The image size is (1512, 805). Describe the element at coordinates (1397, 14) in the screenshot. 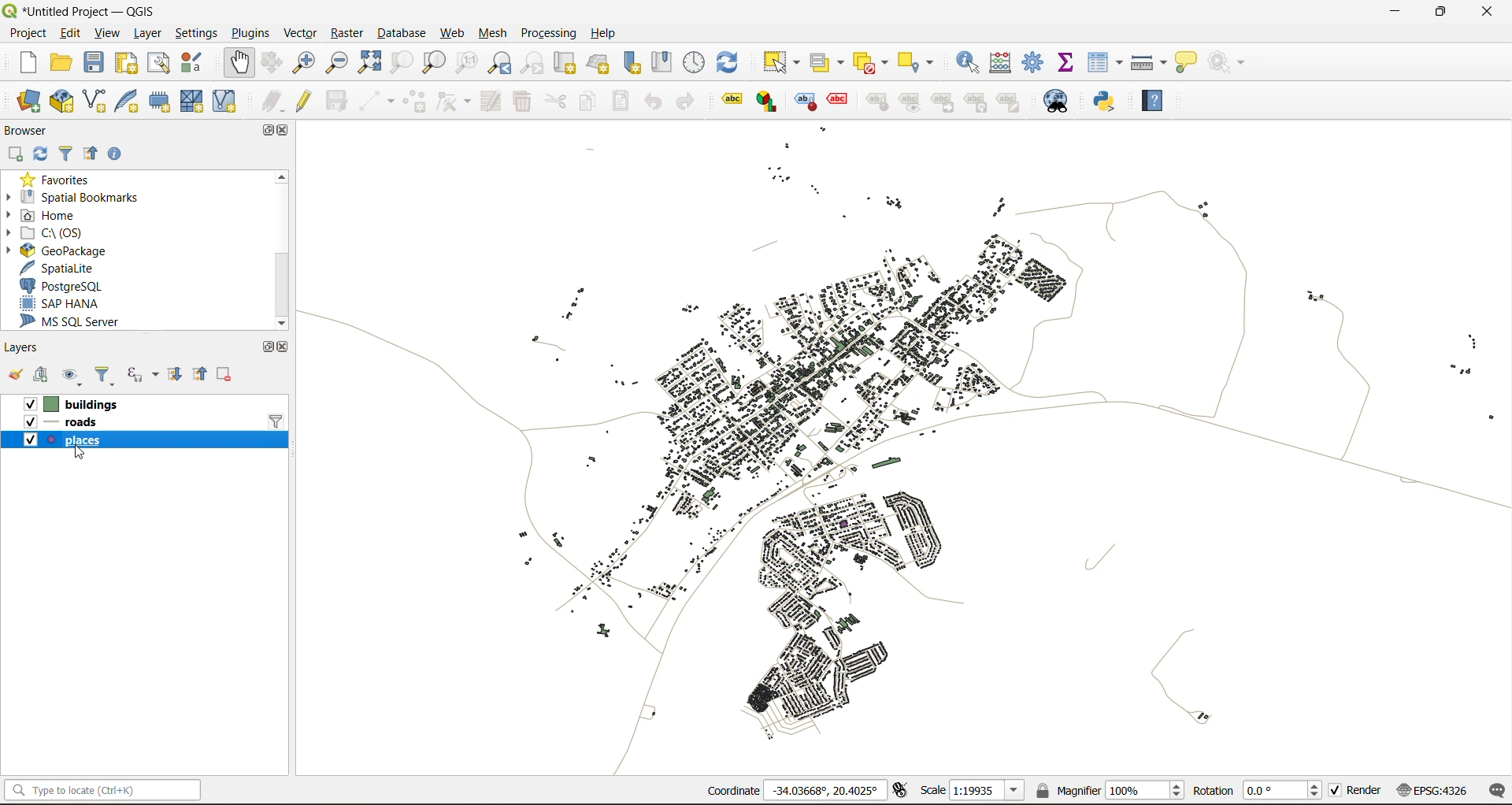

I see `minimize` at that location.